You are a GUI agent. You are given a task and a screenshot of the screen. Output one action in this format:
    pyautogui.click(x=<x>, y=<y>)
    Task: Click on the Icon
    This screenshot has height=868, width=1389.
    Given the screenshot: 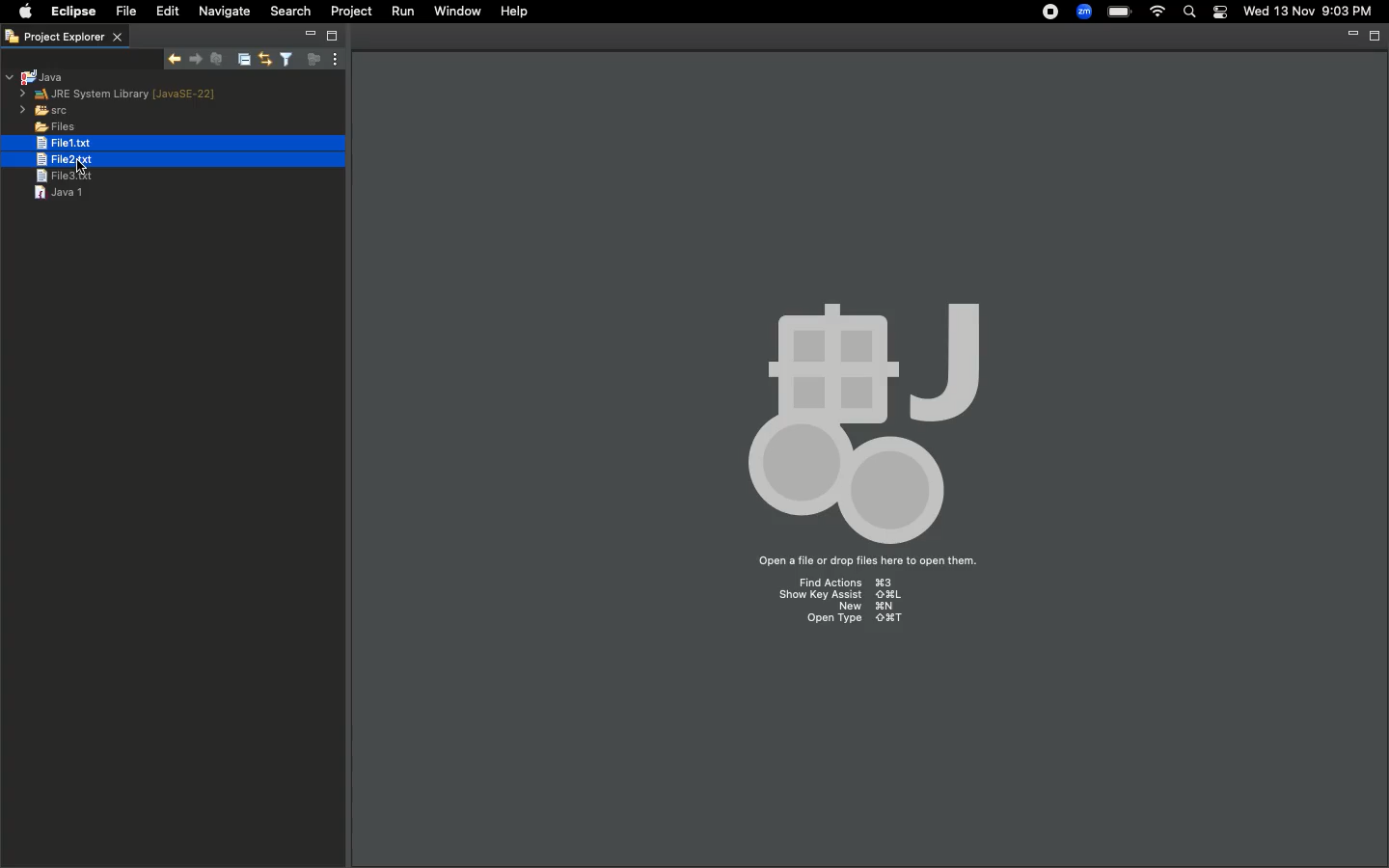 What is the action you would take?
    pyautogui.click(x=862, y=407)
    